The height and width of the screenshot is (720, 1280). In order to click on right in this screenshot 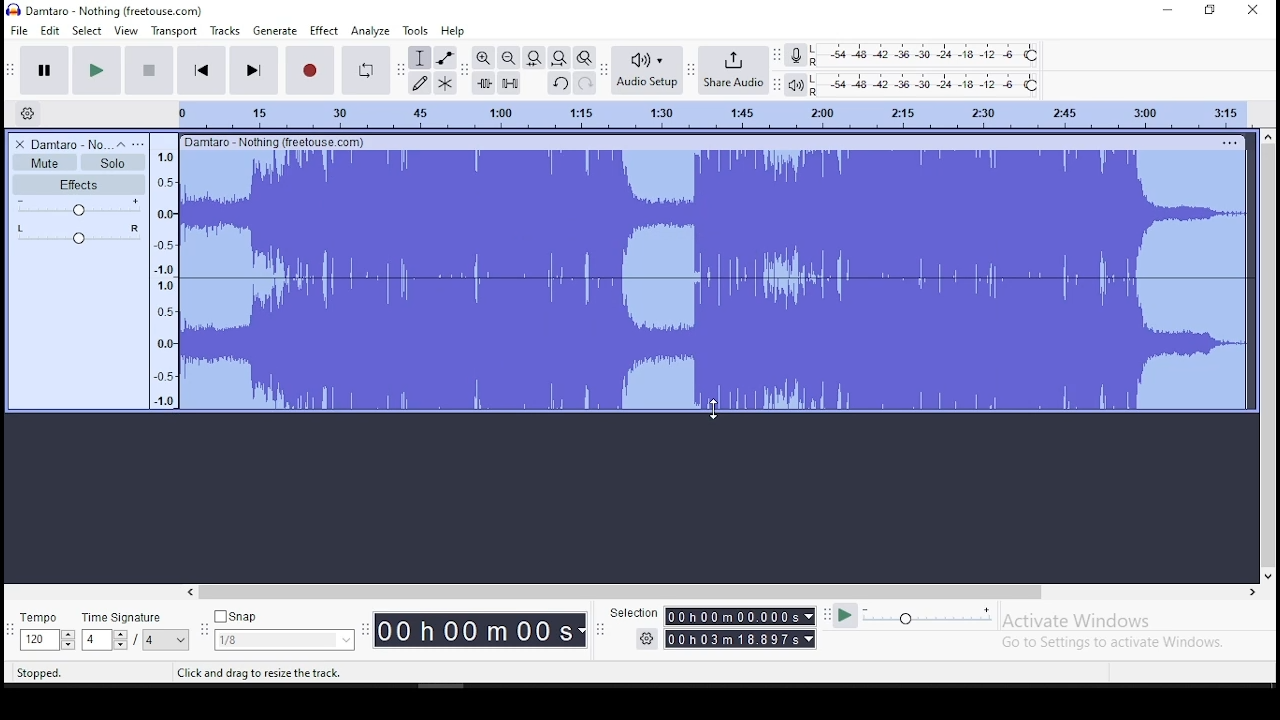, I will do `click(1252, 591)`.